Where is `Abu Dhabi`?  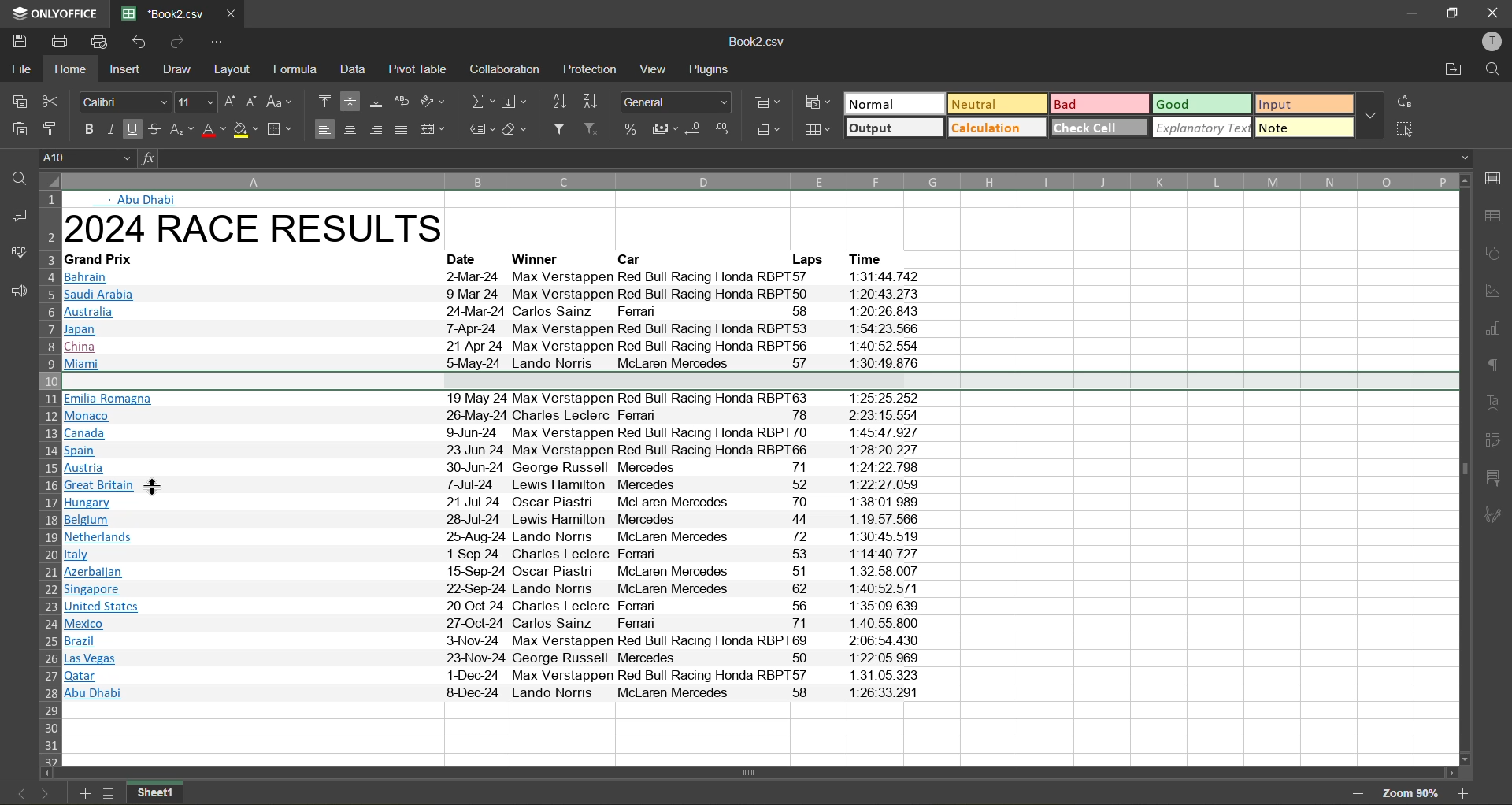 Abu Dhabi is located at coordinates (146, 201).